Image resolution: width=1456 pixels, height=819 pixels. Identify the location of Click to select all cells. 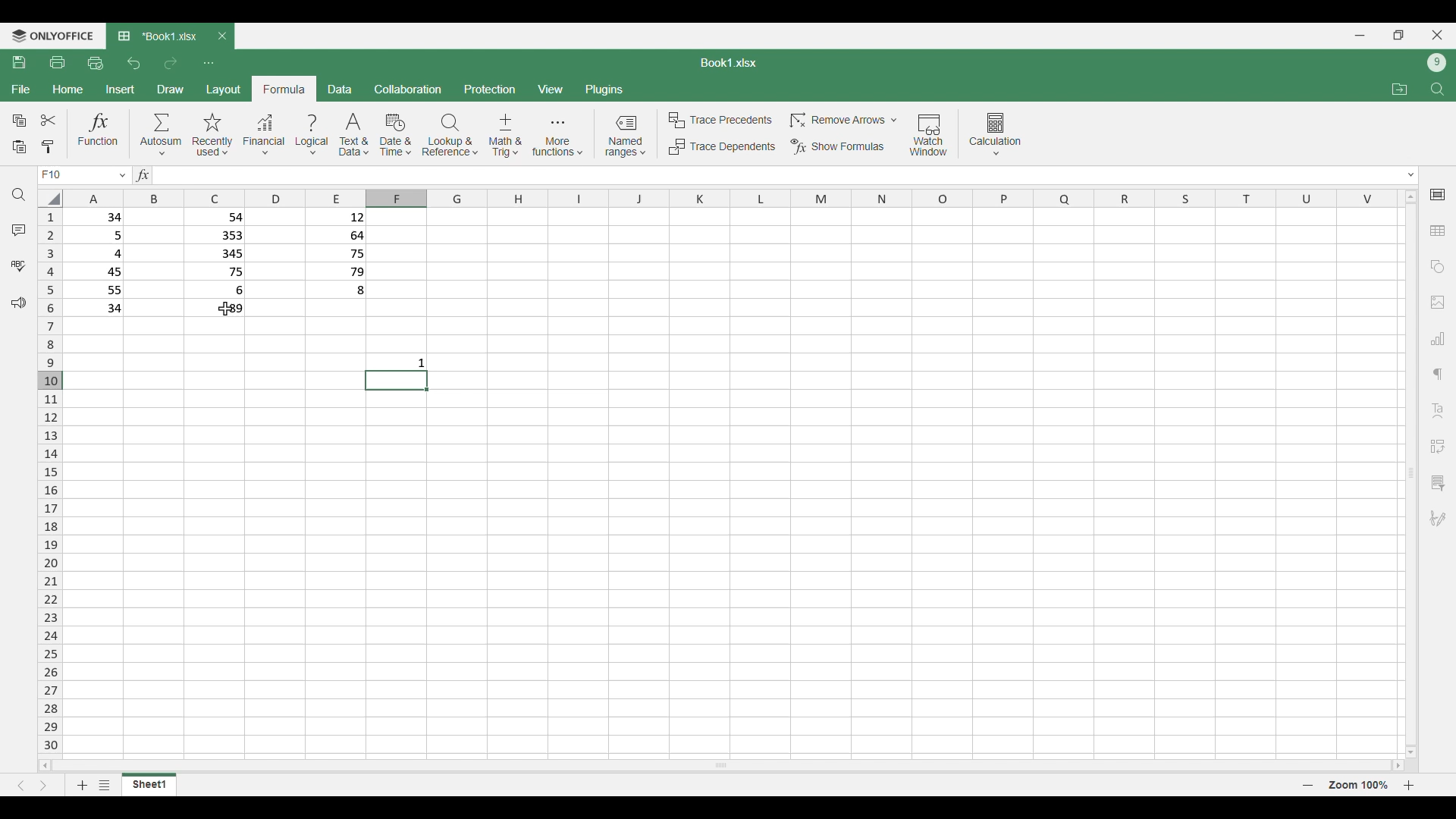
(49, 197).